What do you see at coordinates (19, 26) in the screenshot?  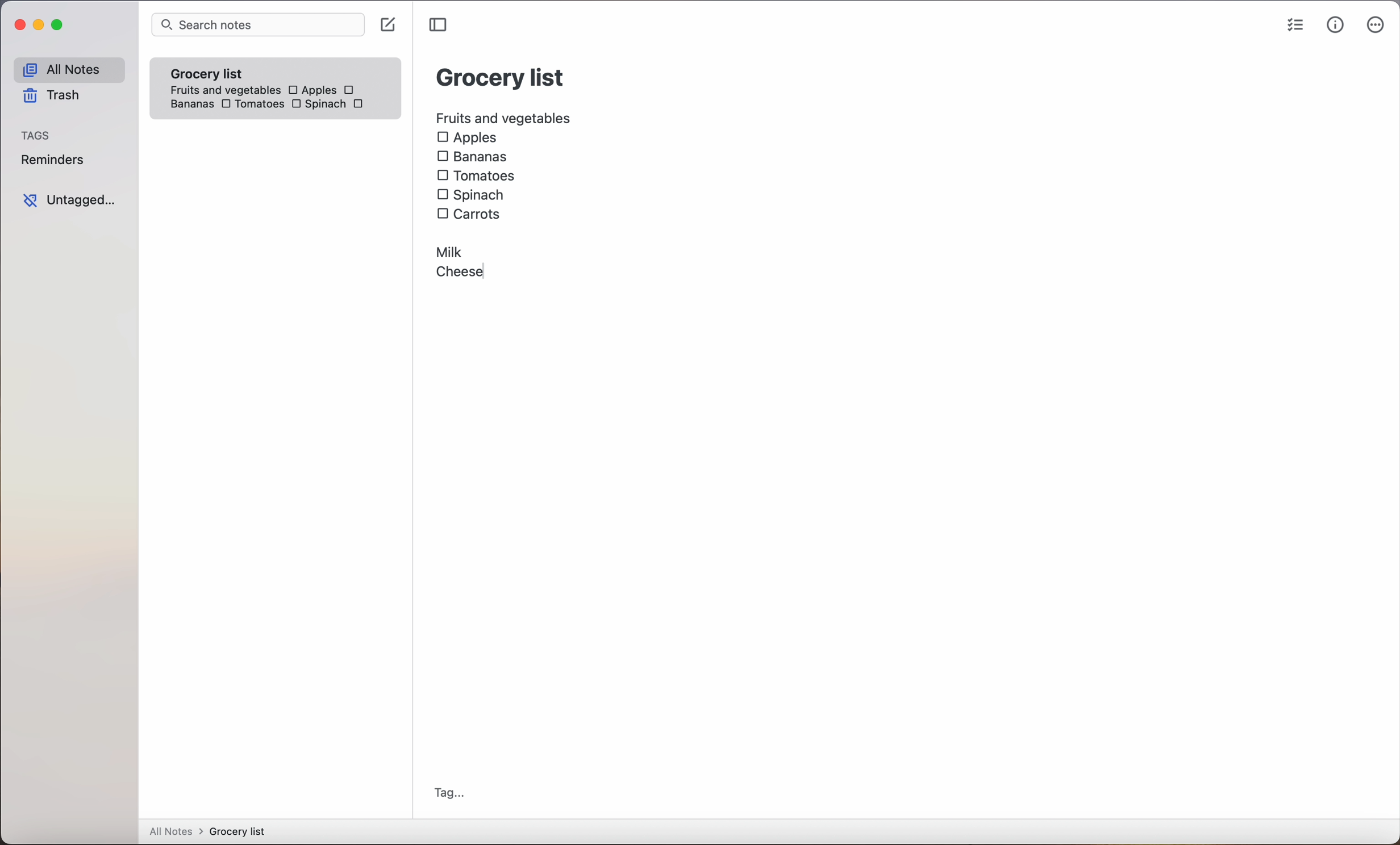 I see `close Simplenote` at bounding box center [19, 26].